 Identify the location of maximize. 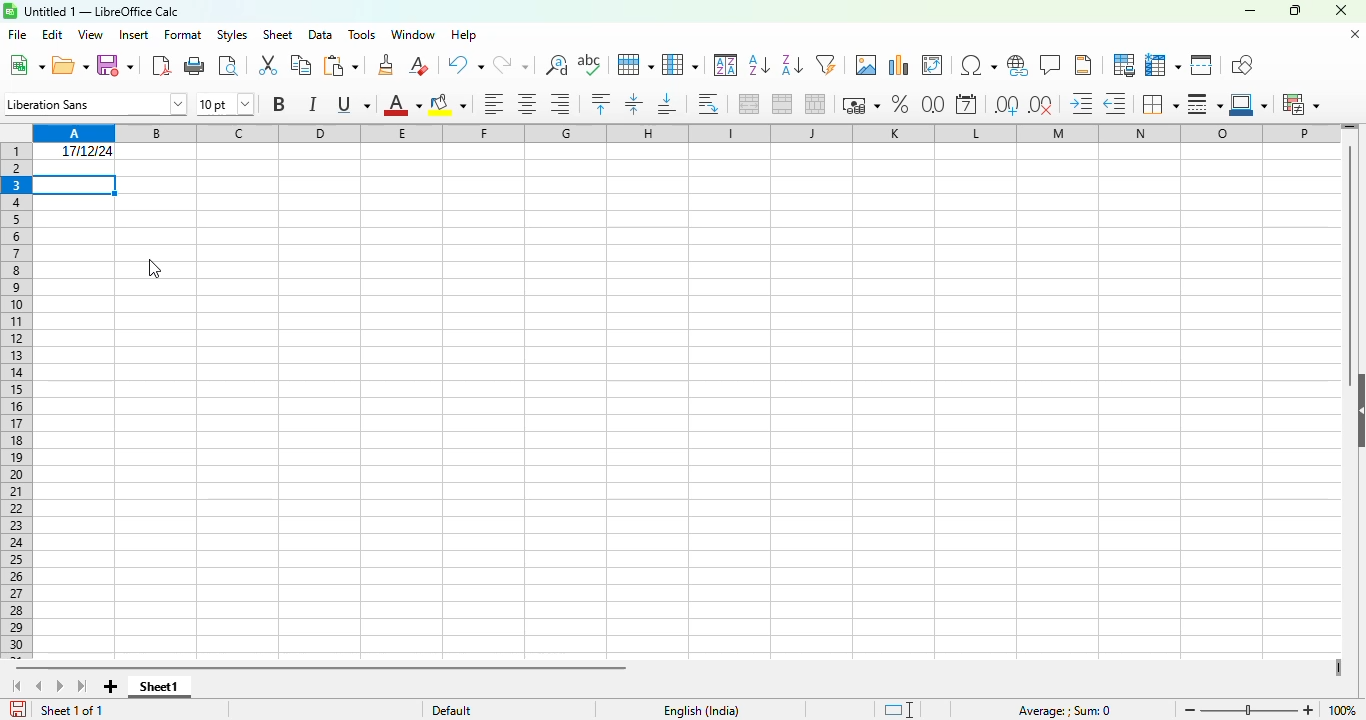
(1296, 10).